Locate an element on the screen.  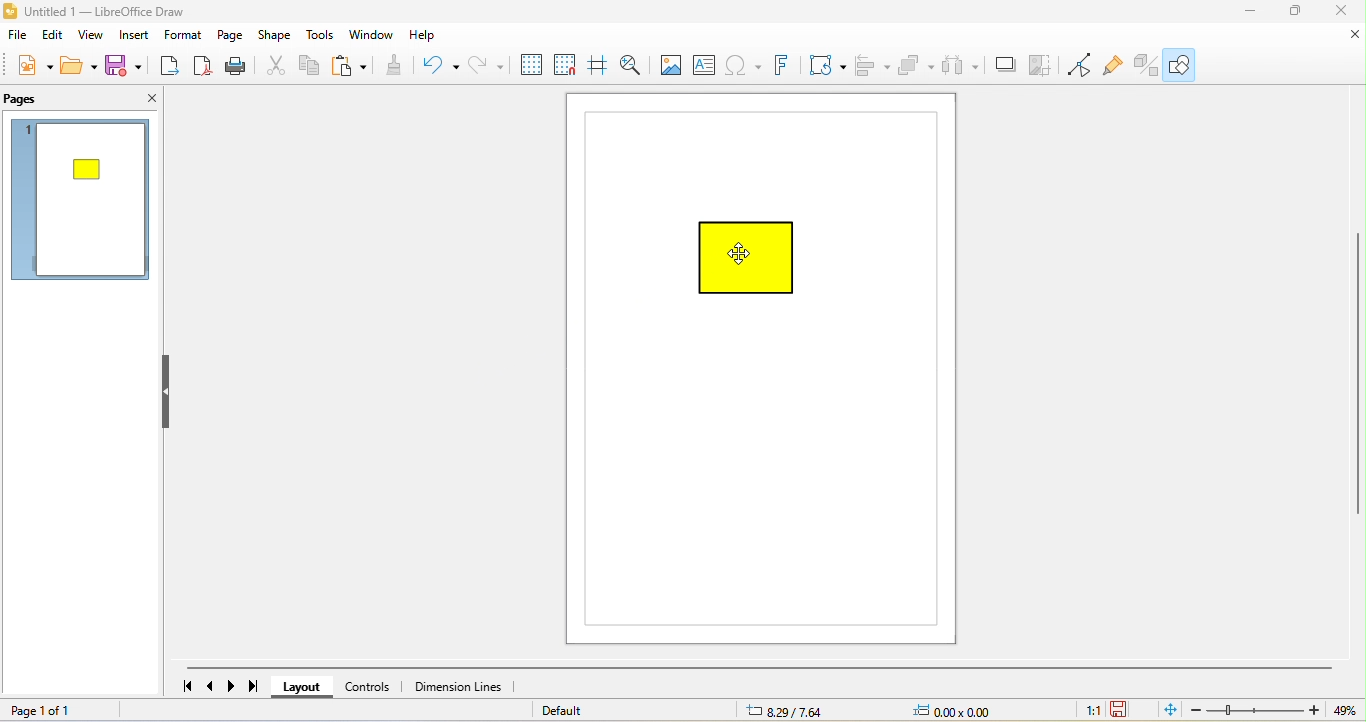
view is located at coordinates (93, 35).